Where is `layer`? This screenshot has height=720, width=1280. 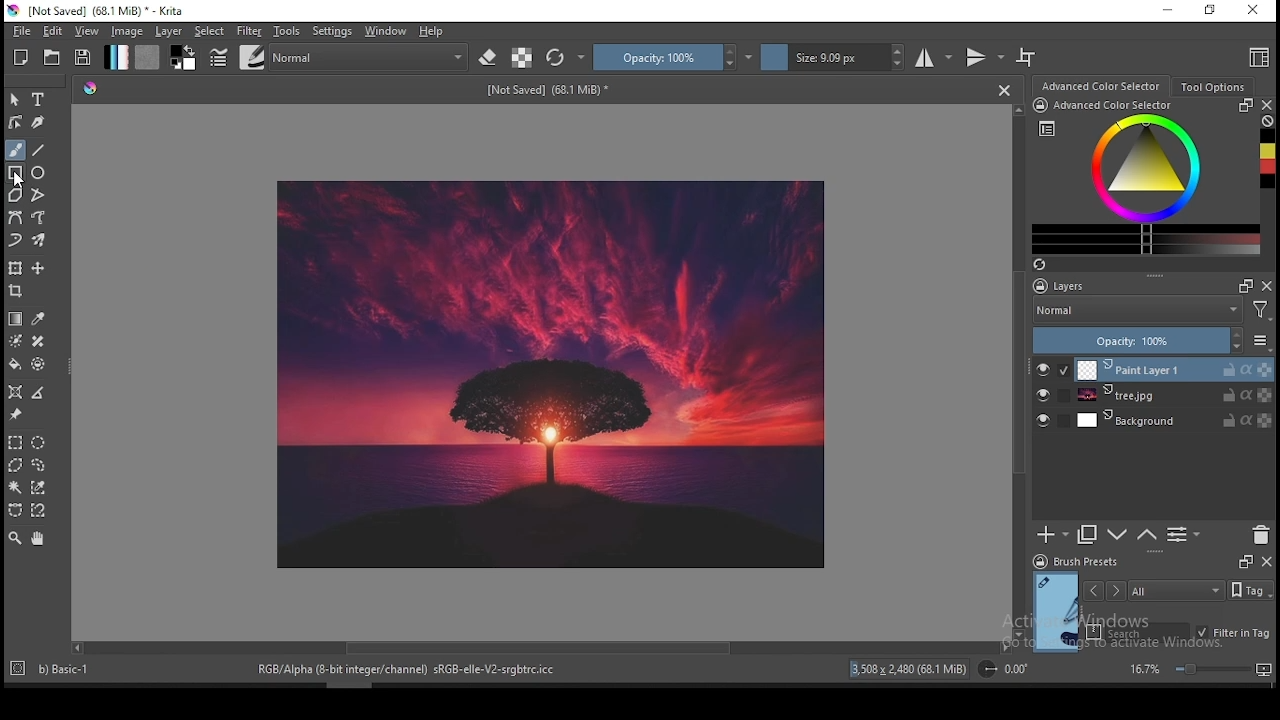 layer is located at coordinates (1173, 396).